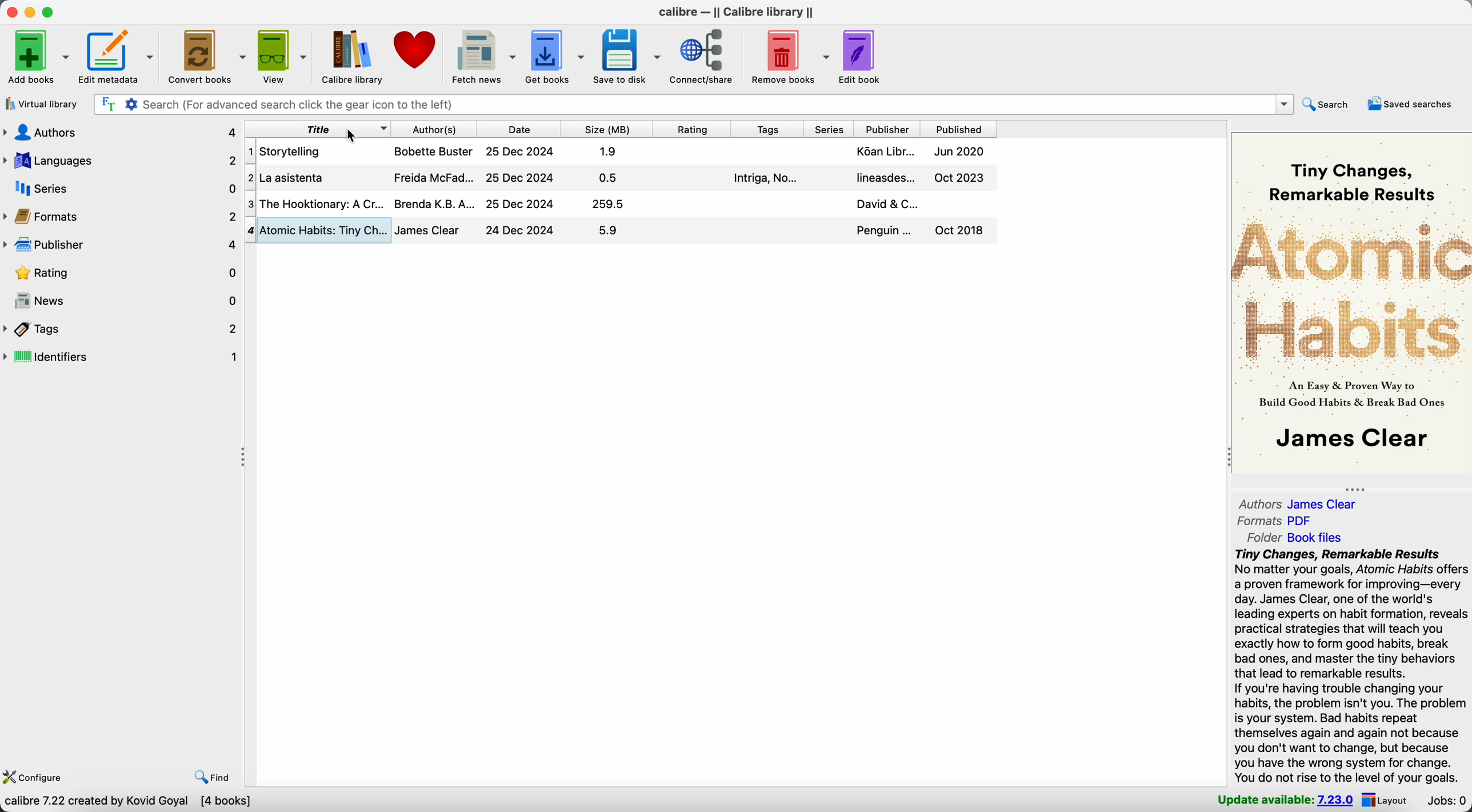 The width and height of the screenshot is (1472, 812). I want to click on date, so click(520, 129).